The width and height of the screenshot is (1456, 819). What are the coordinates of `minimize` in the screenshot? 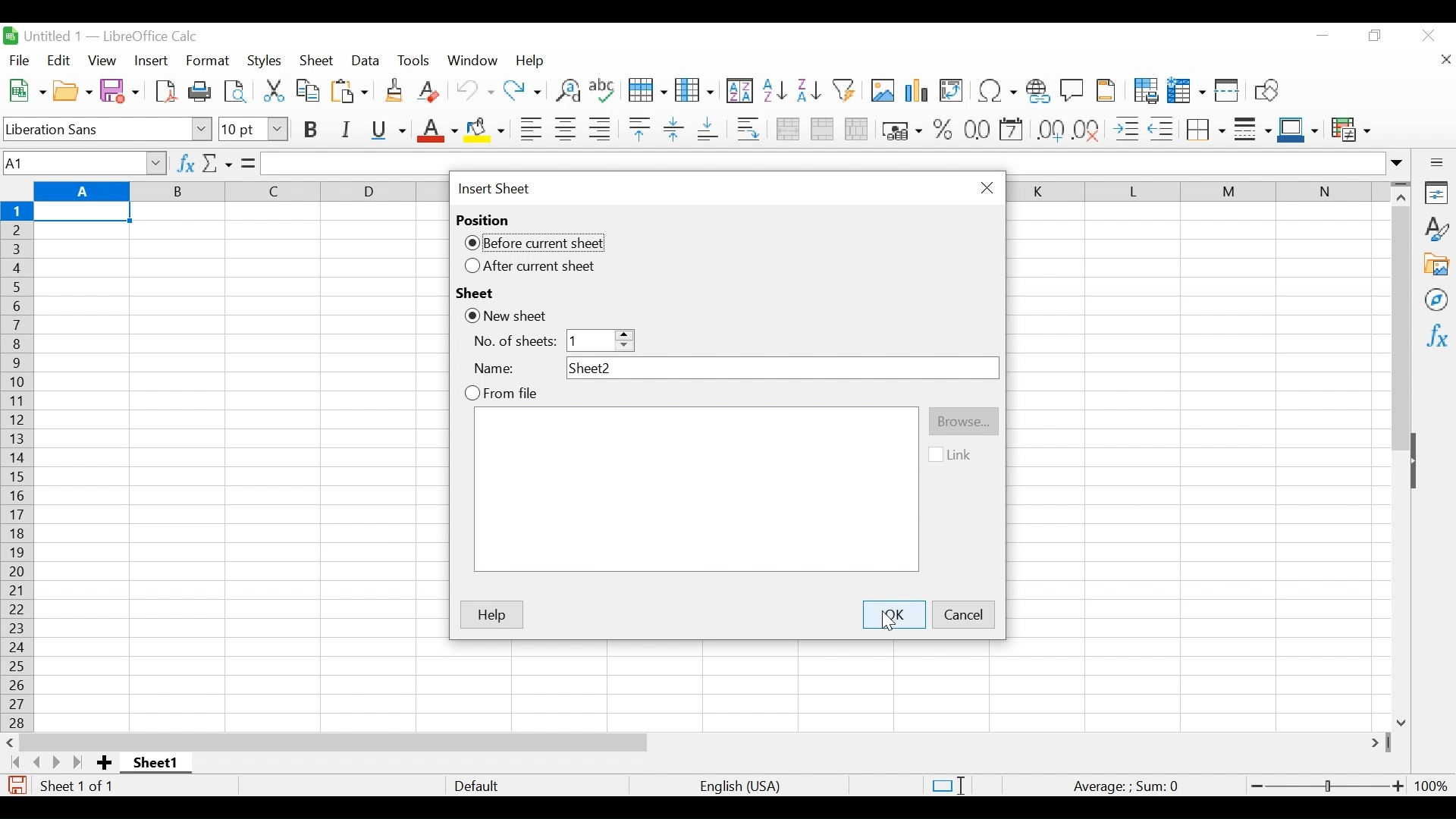 It's located at (1322, 35).